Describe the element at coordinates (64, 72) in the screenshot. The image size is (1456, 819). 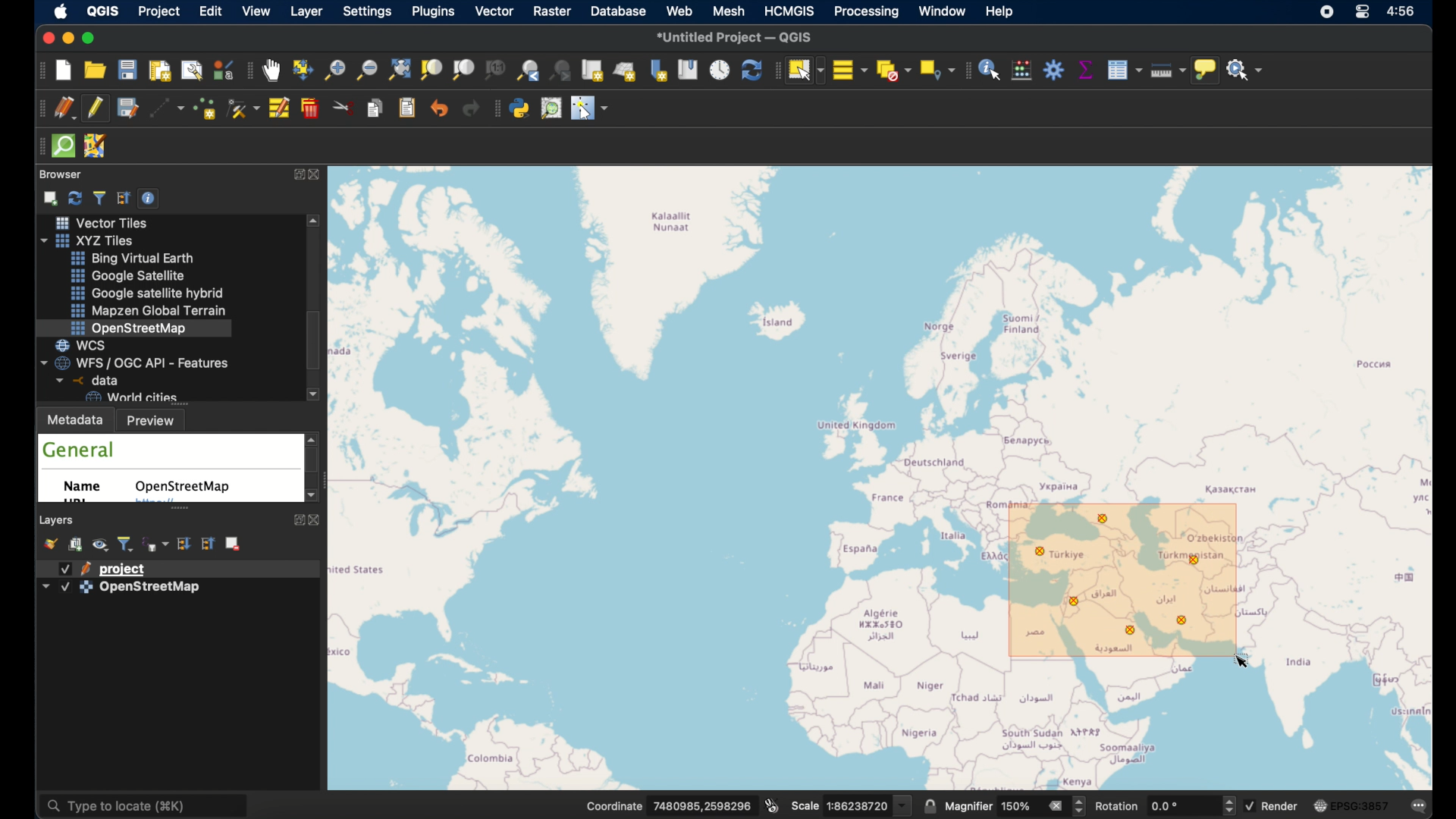
I see `new project` at that location.